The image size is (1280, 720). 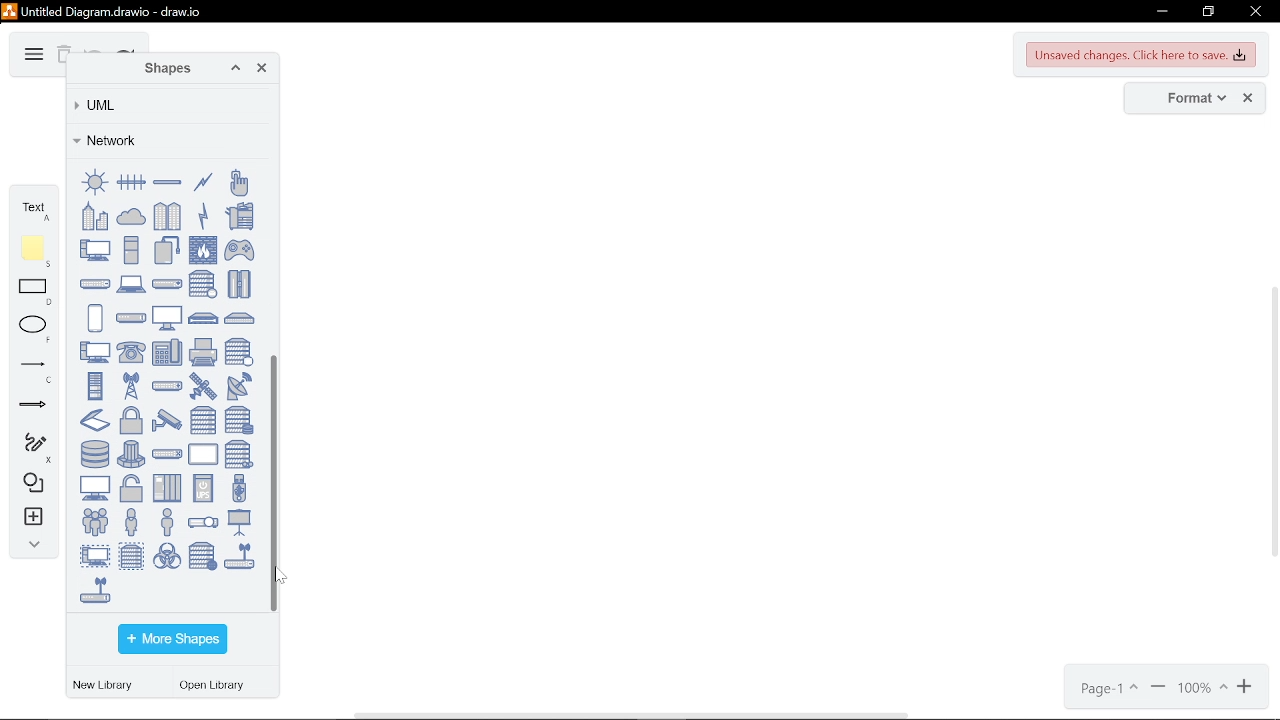 What do you see at coordinates (95, 589) in the screenshot?
I see `wireless modem` at bounding box center [95, 589].